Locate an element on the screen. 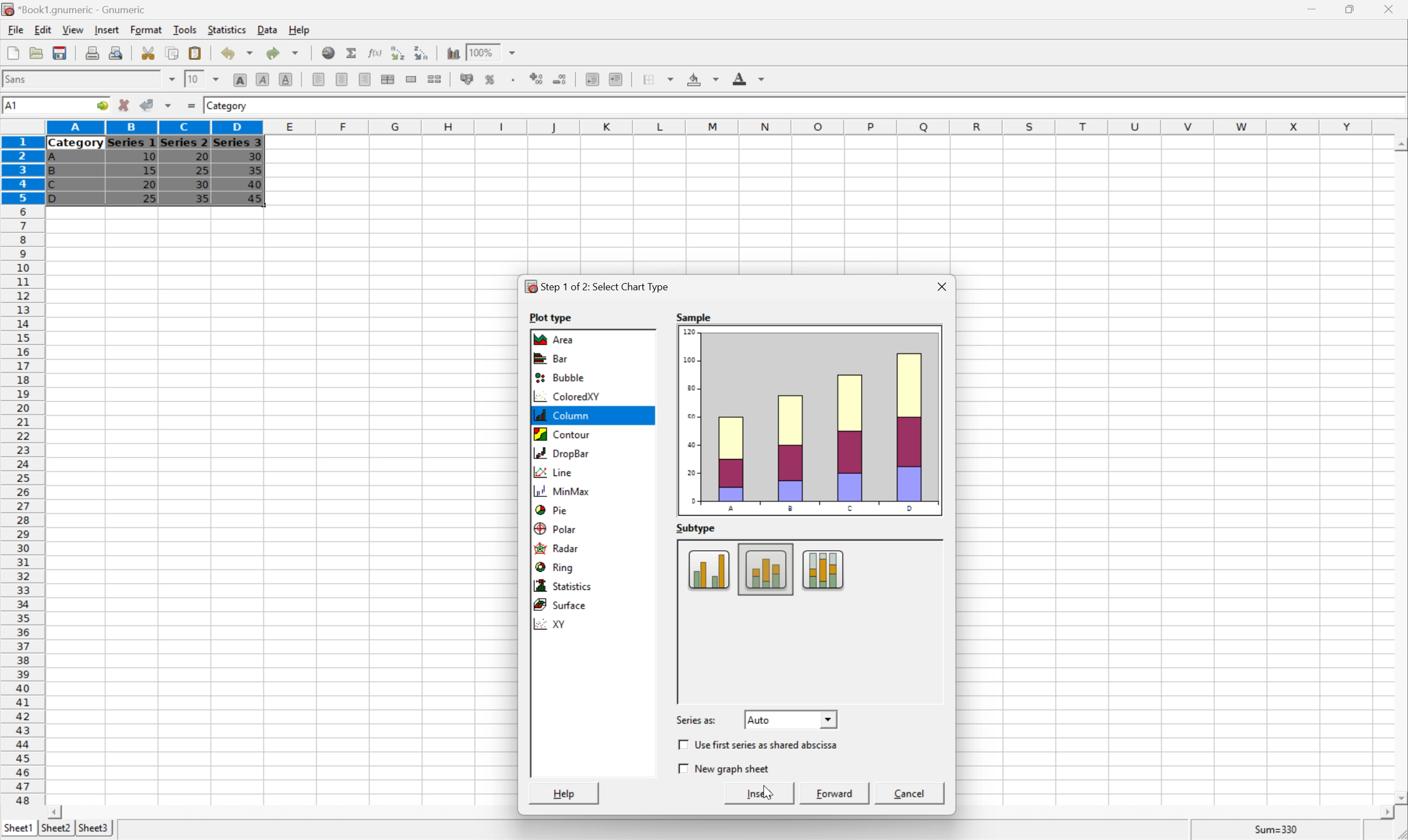 This screenshot has height=840, width=1408. File is located at coordinates (16, 29).